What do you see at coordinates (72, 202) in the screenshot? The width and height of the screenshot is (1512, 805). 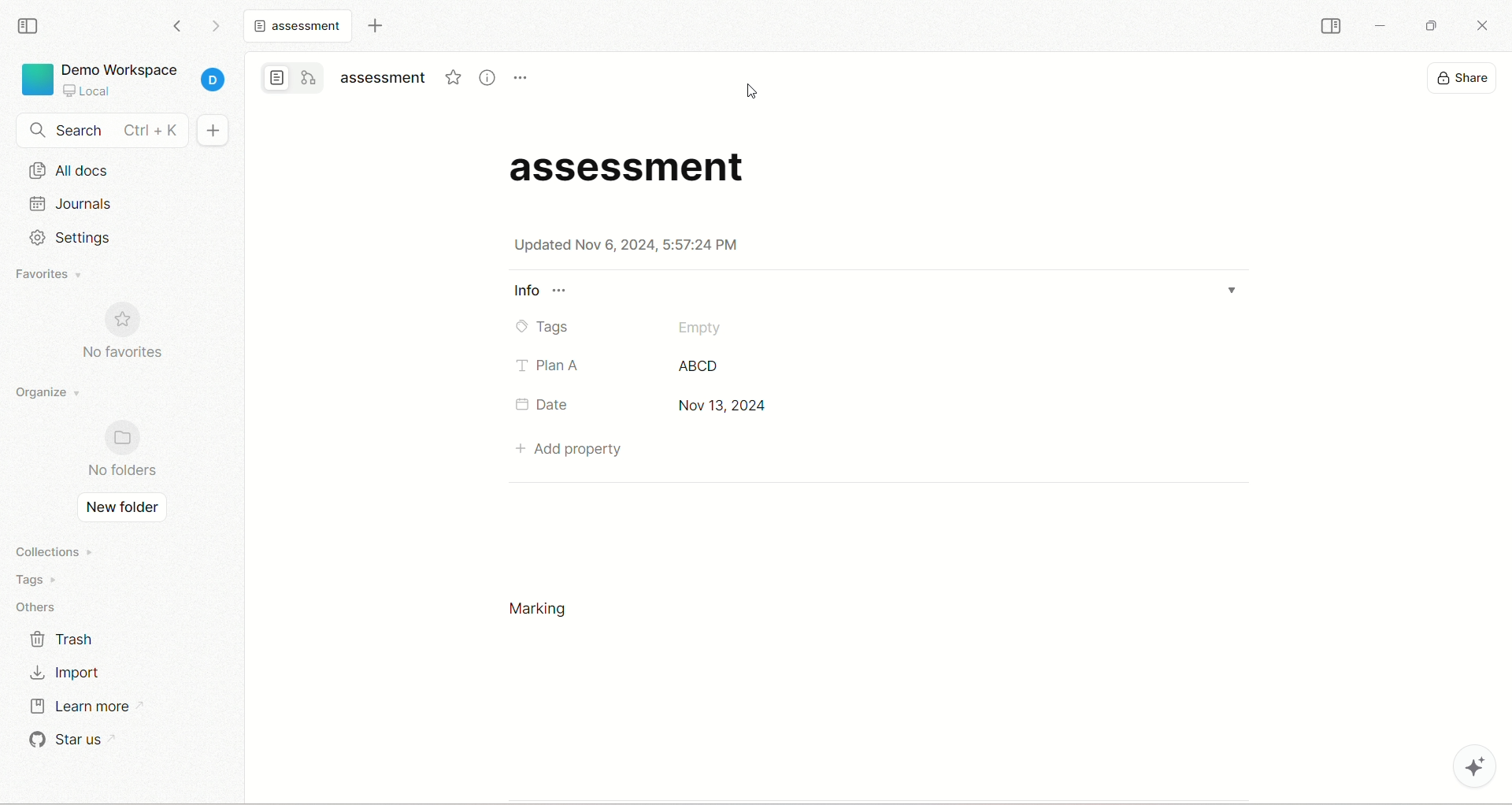 I see `journals` at bounding box center [72, 202].